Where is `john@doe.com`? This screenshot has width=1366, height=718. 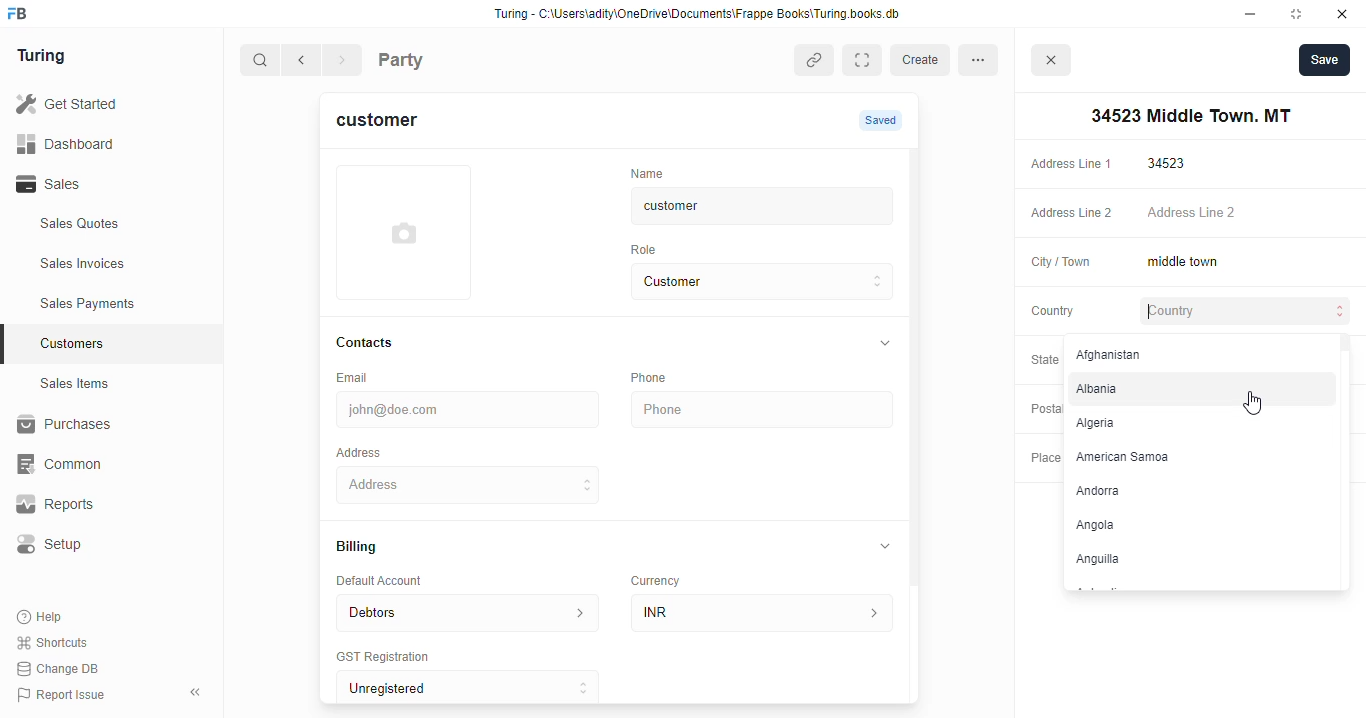 john@doe.com is located at coordinates (471, 407).